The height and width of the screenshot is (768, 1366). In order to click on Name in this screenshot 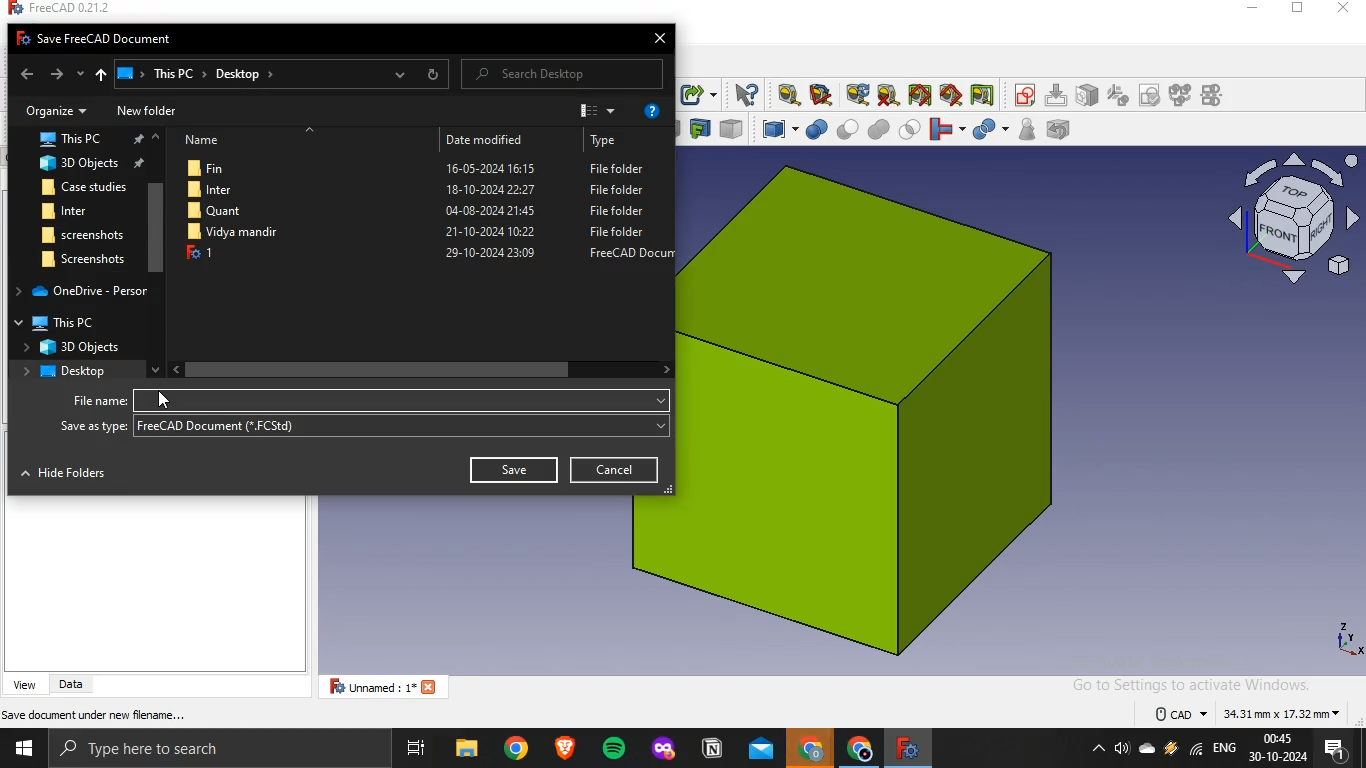, I will do `click(204, 138)`.